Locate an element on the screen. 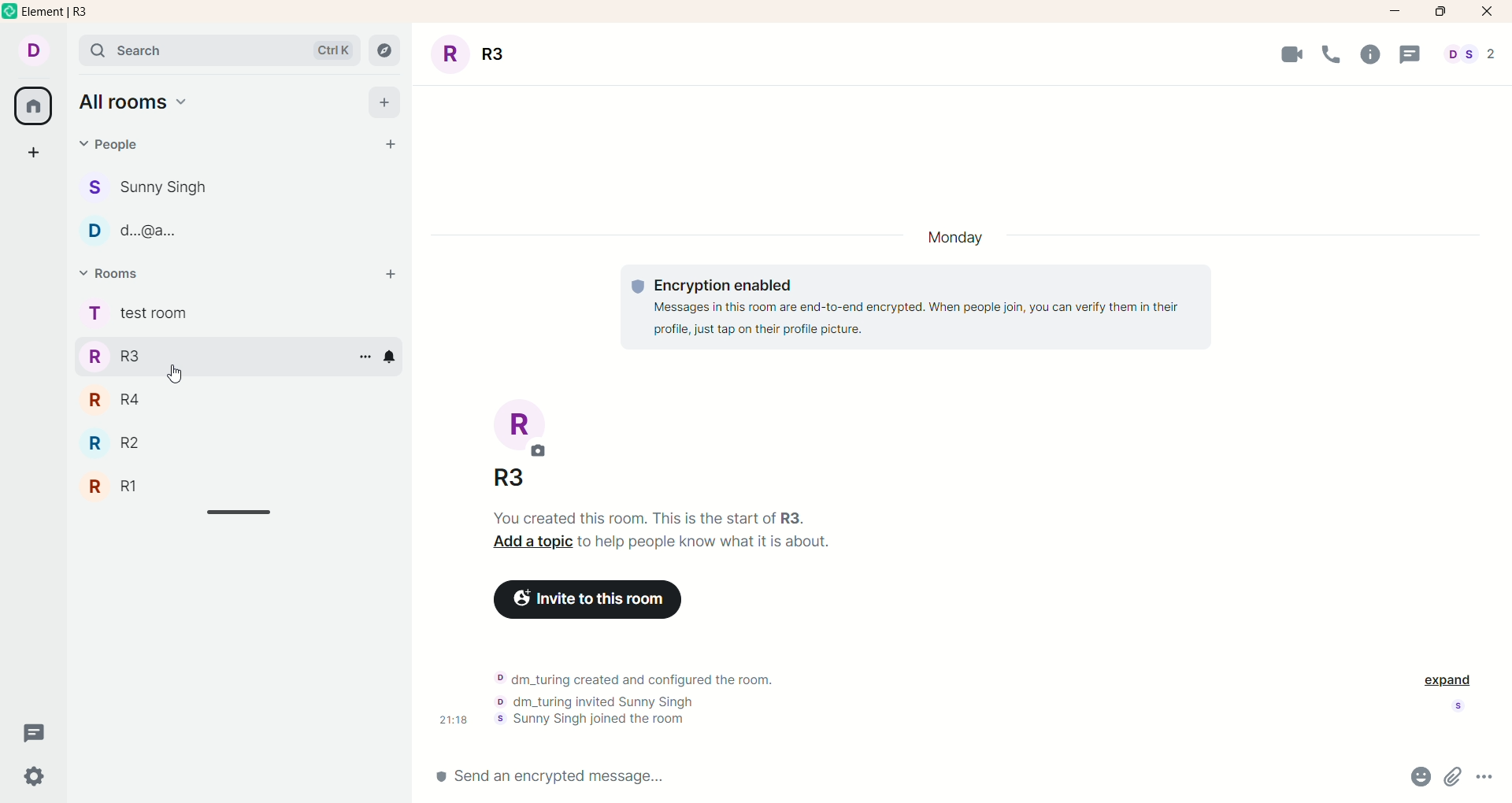 This screenshot has height=803, width=1512. R3 is located at coordinates (120, 359).